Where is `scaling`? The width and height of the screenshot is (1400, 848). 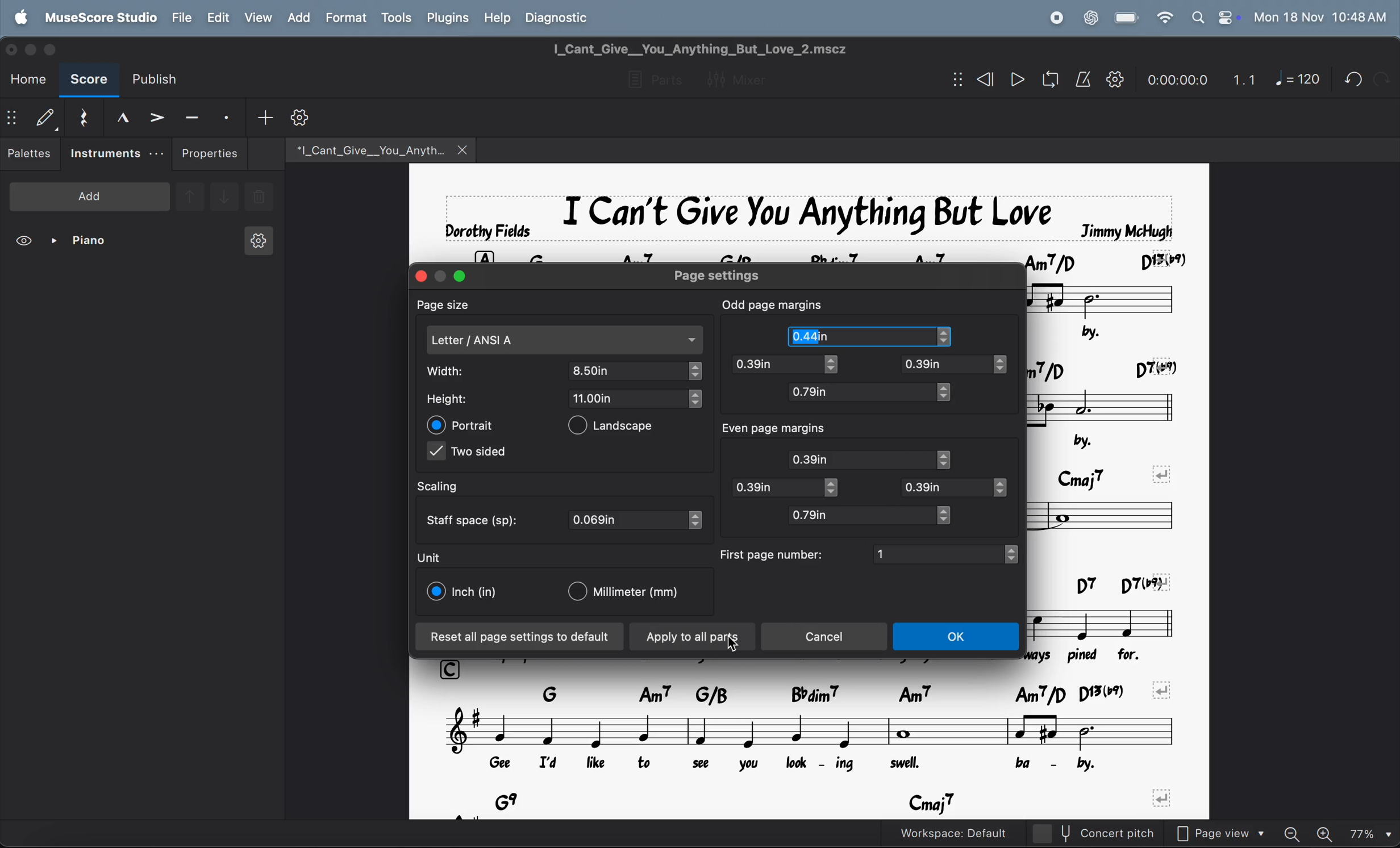
scaling is located at coordinates (449, 487).